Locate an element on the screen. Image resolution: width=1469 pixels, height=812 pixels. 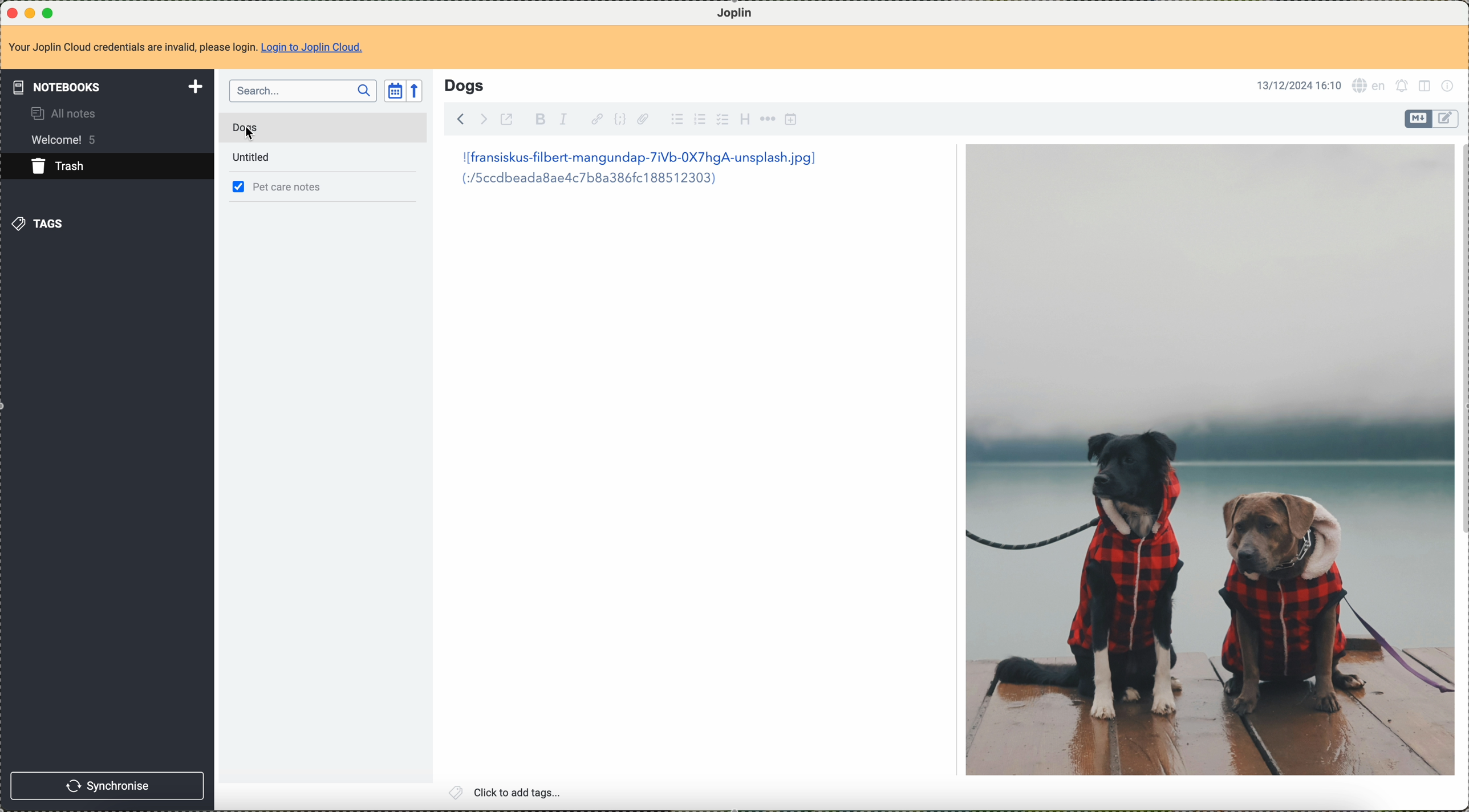
attach file is located at coordinates (646, 120).